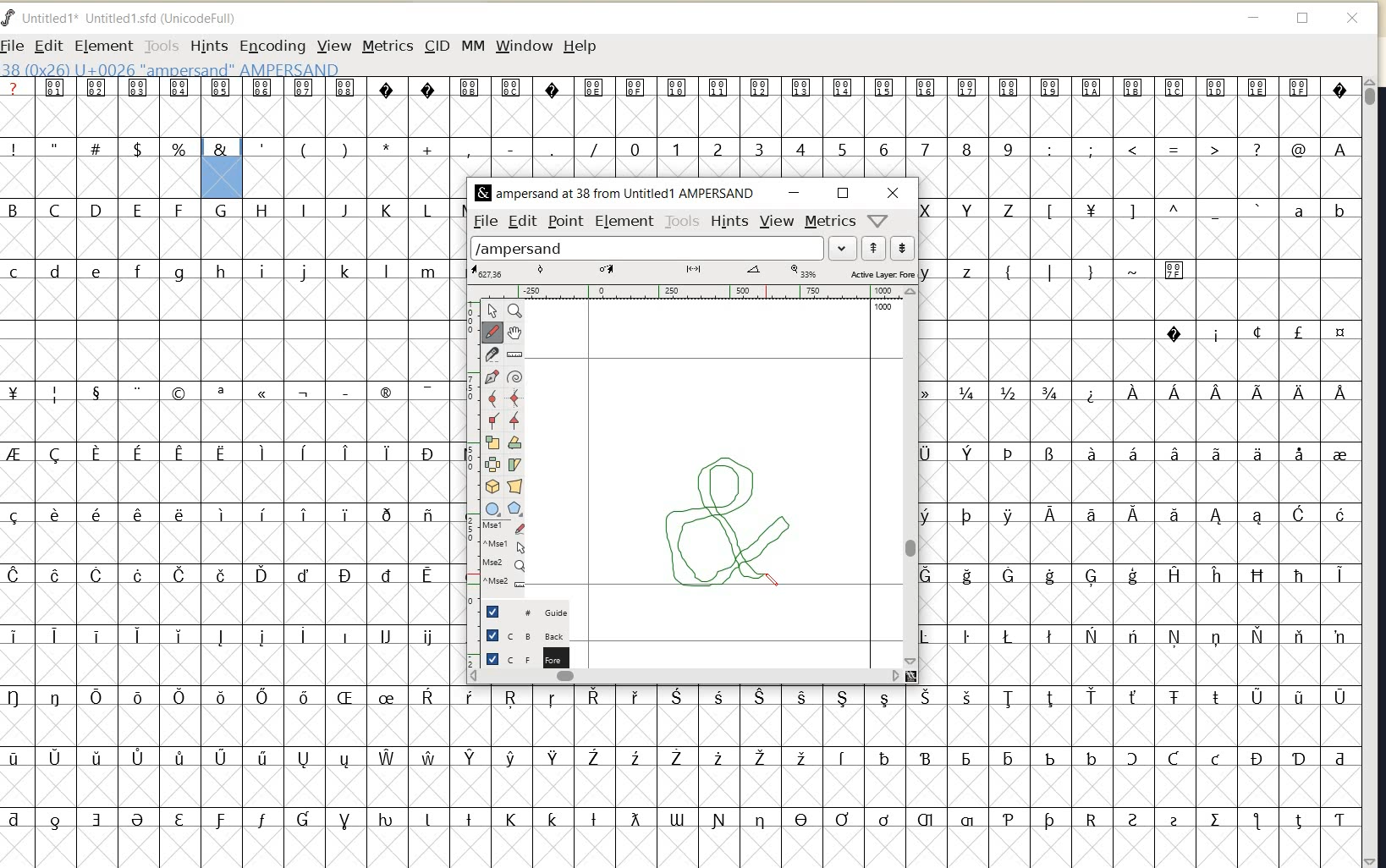 The image size is (1386, 868). What do you see at coordinates (492, 486) in the screenshot?
I see `rotate the selection in 3d and project back to plane` at bounding box center [492, 486].